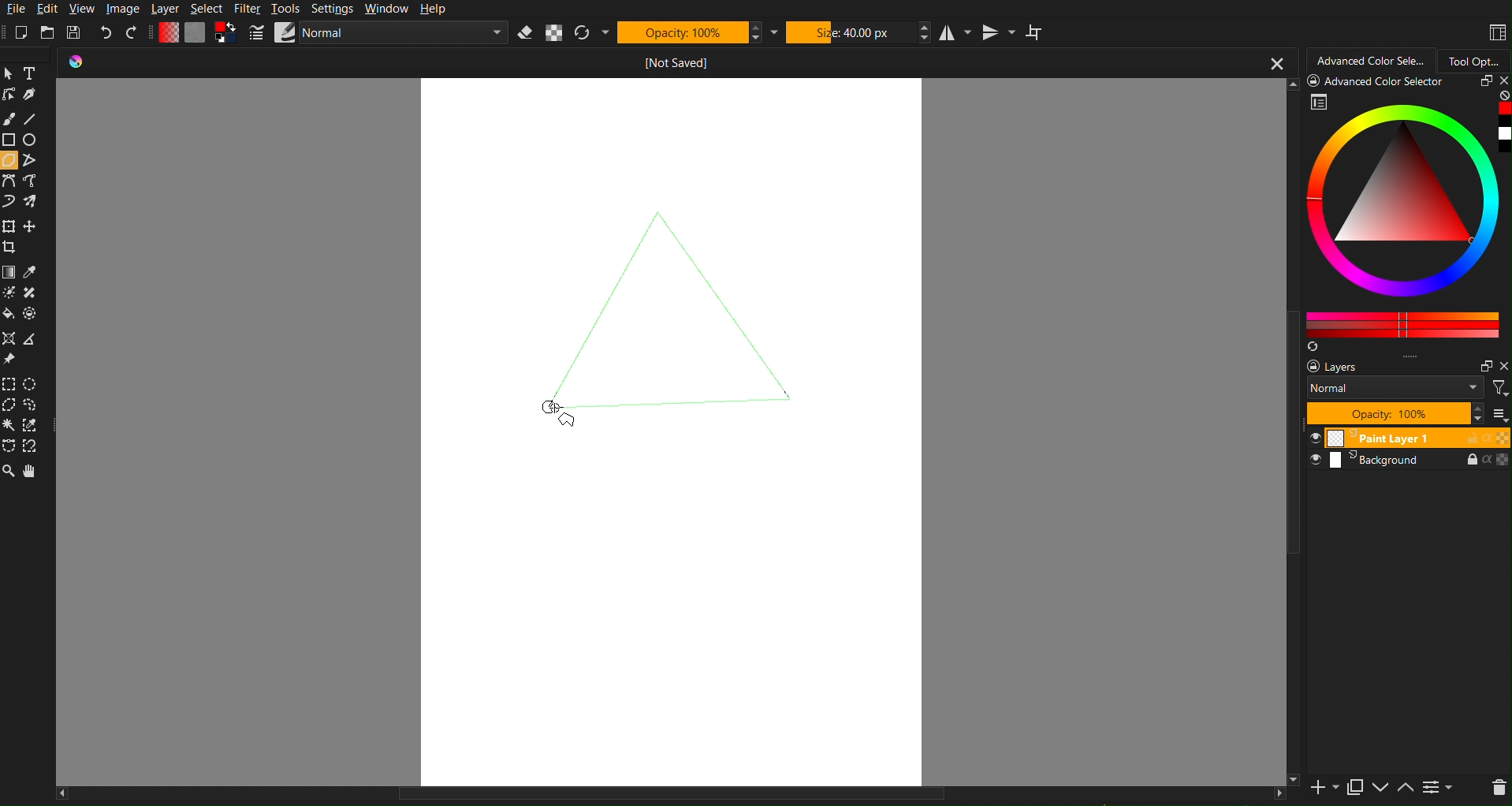  Describe the element at coordinates (1276, 62) in the screenshot. I see `close button` at that location.